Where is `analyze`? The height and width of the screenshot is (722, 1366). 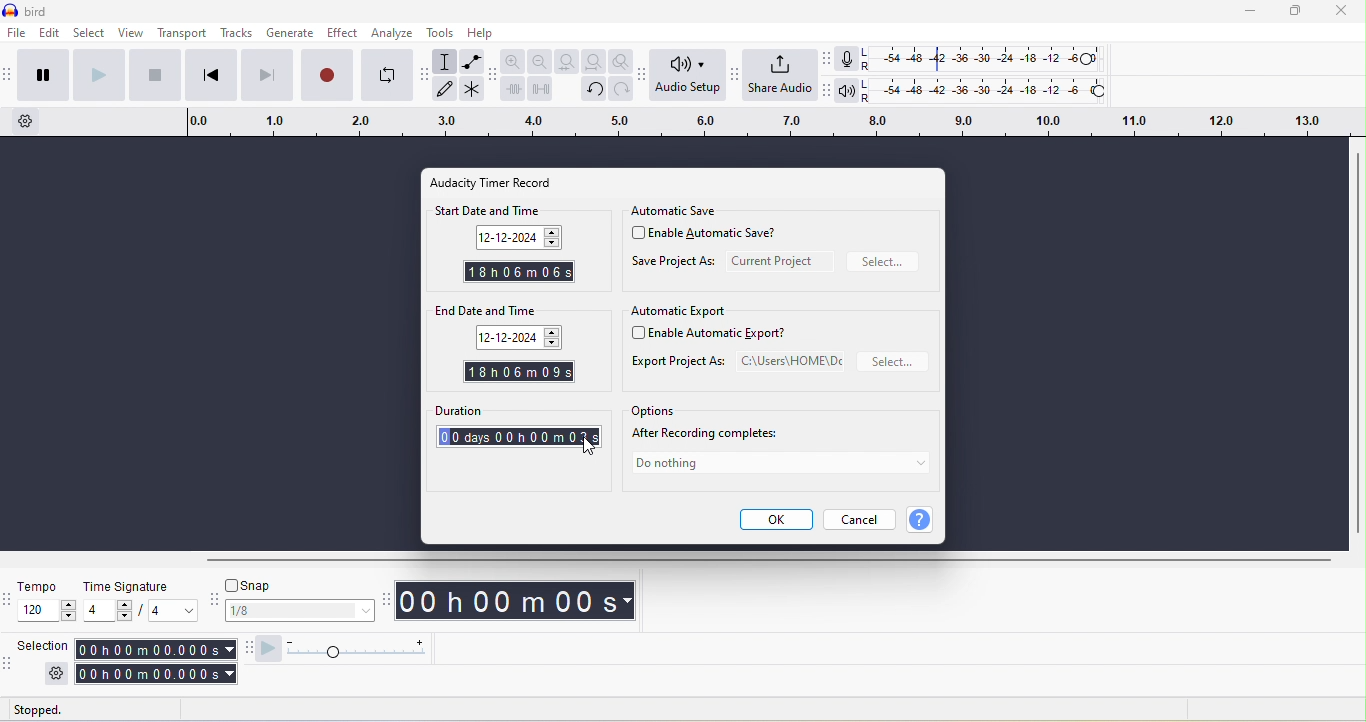 analyze is located at coordinates (392, 33).